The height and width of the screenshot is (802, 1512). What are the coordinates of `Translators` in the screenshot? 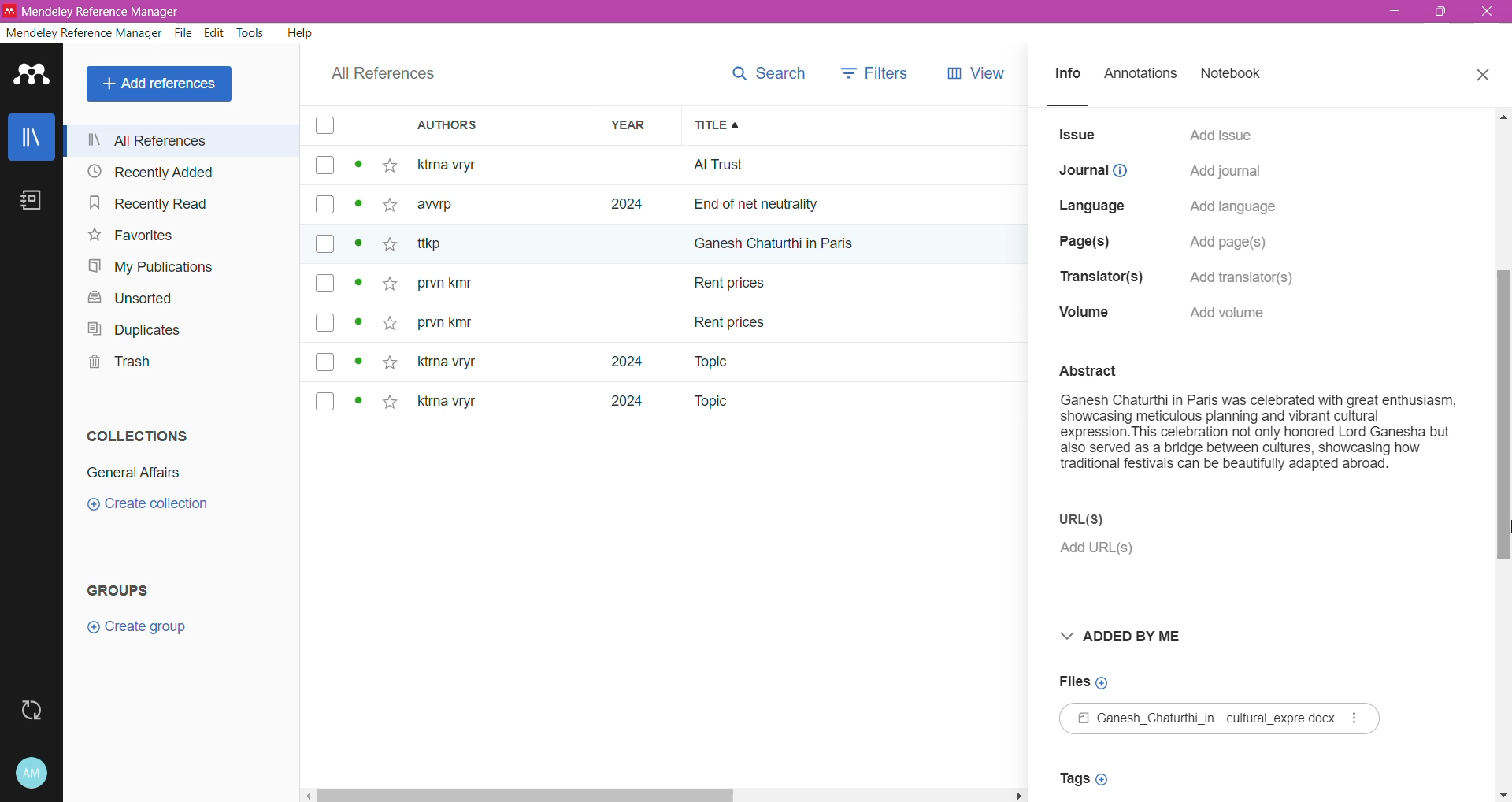 It's located at (1096, 278).